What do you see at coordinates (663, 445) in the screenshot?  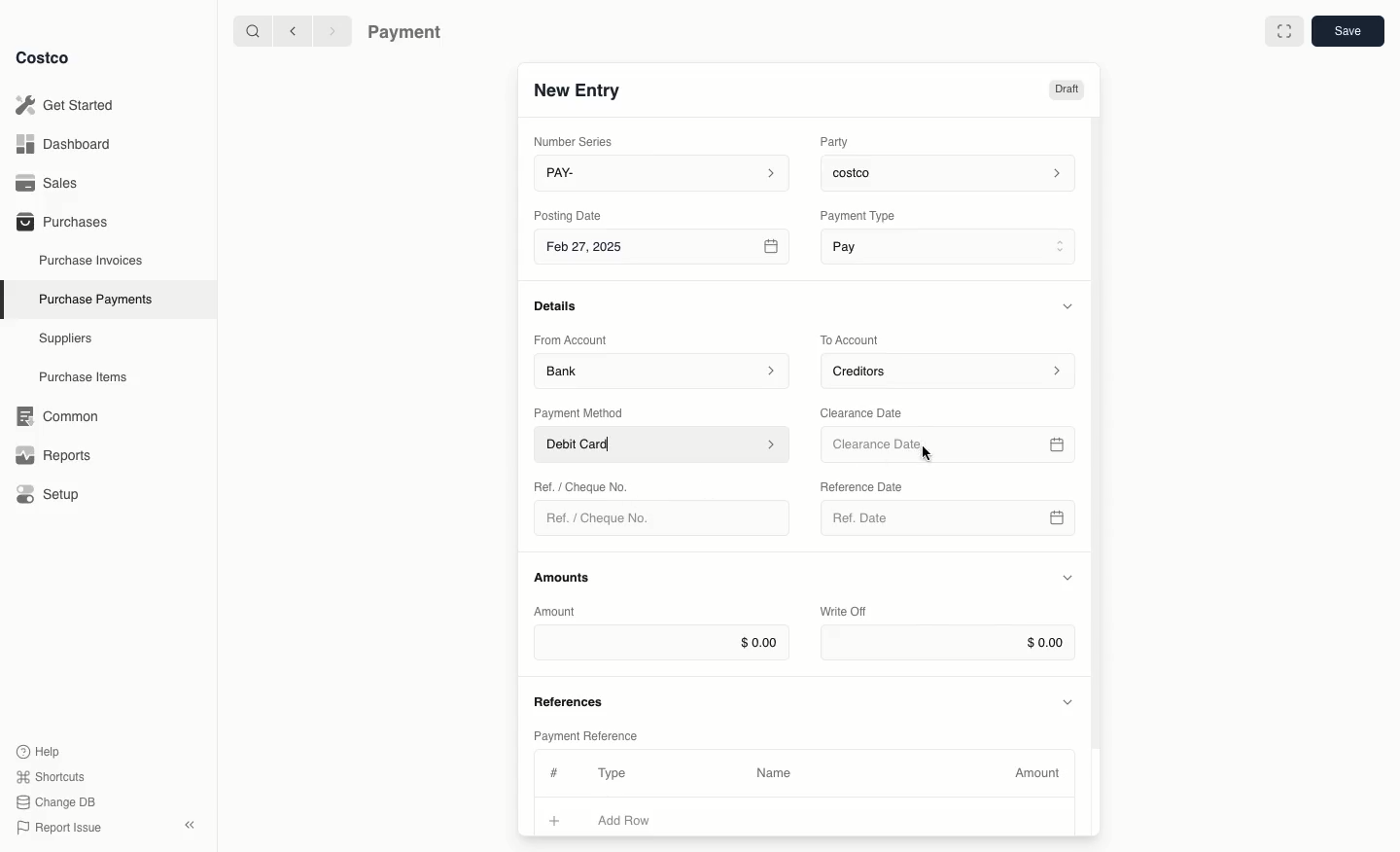 I see `Debit Card` at bounding box center [663, 445].